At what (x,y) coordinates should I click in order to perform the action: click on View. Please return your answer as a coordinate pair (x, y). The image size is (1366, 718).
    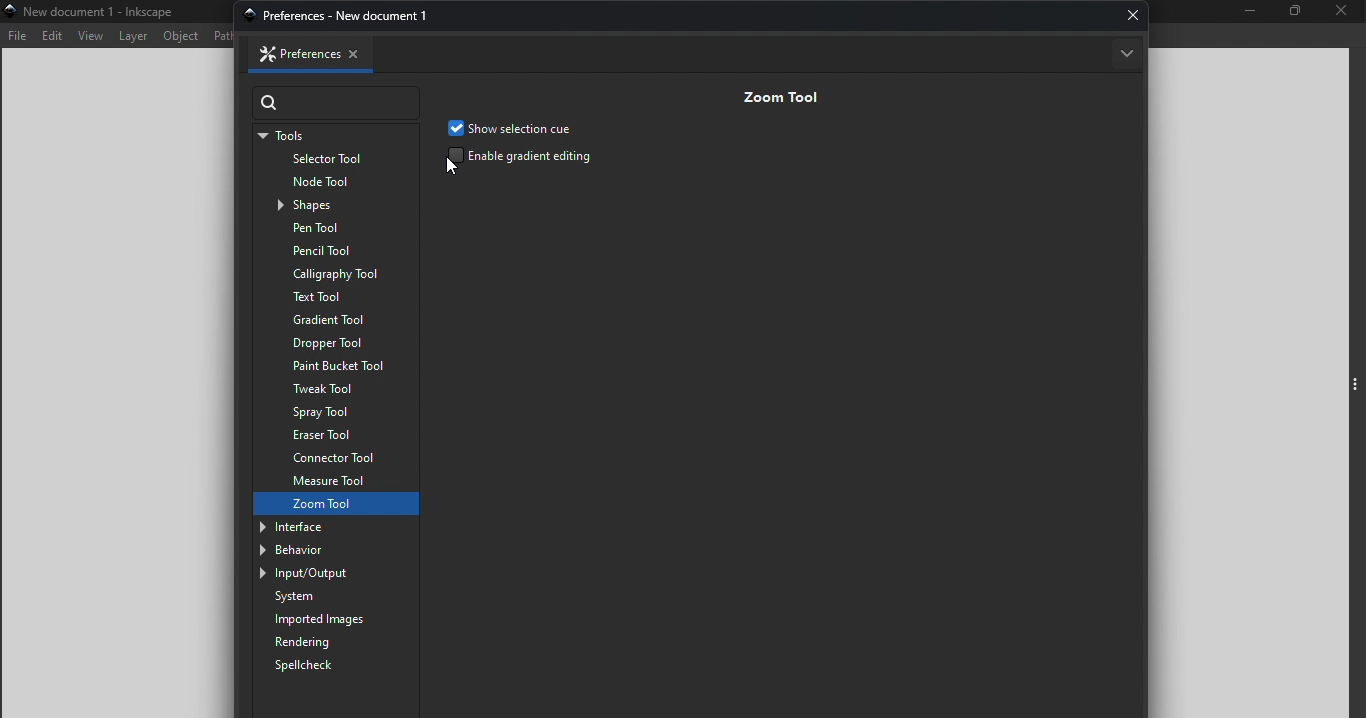
    Looking at the image, I should click on (91, 37).